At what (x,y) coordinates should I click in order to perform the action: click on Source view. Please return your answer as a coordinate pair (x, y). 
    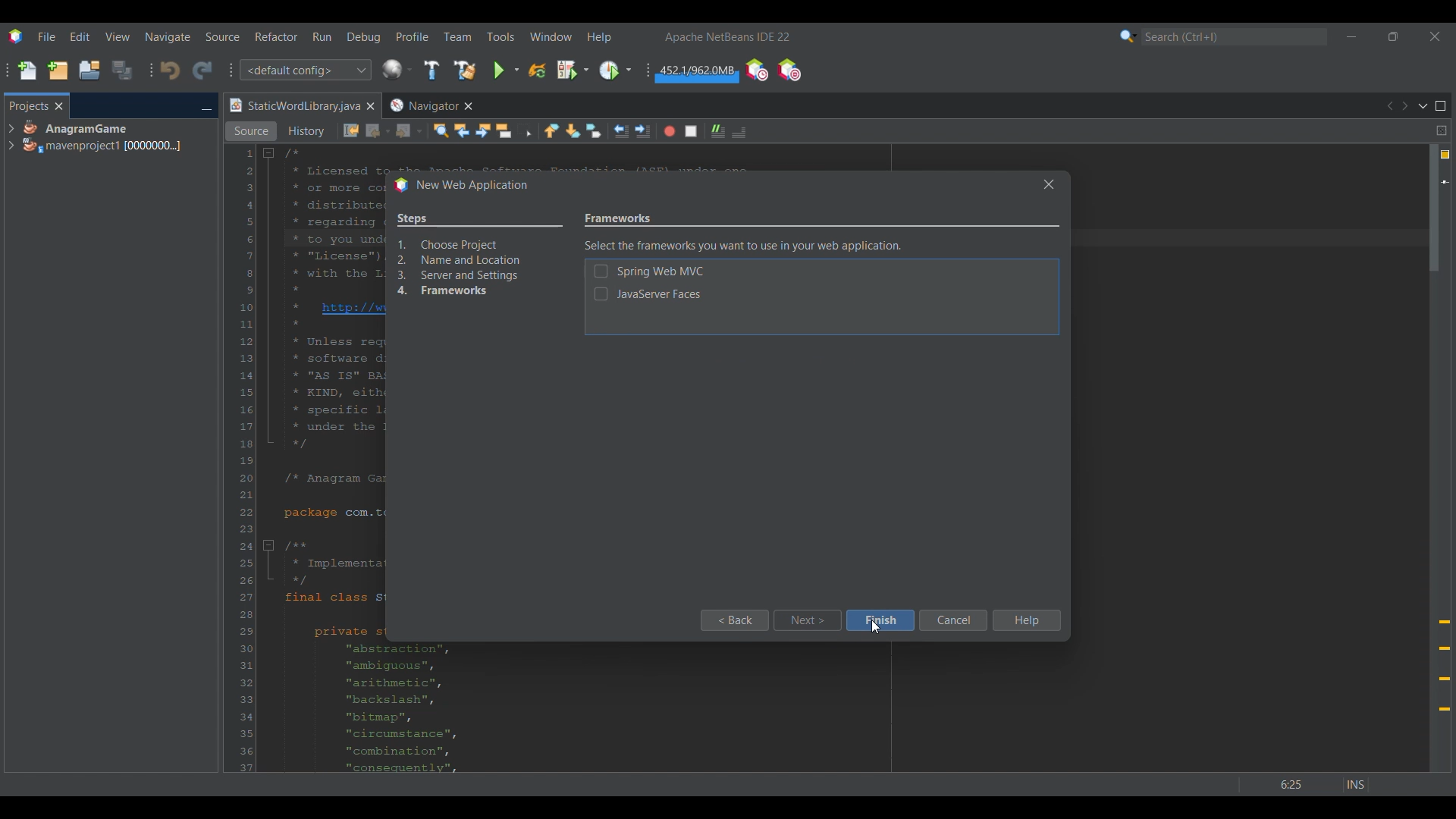
    Looking at the image, I should click on (251, 131).